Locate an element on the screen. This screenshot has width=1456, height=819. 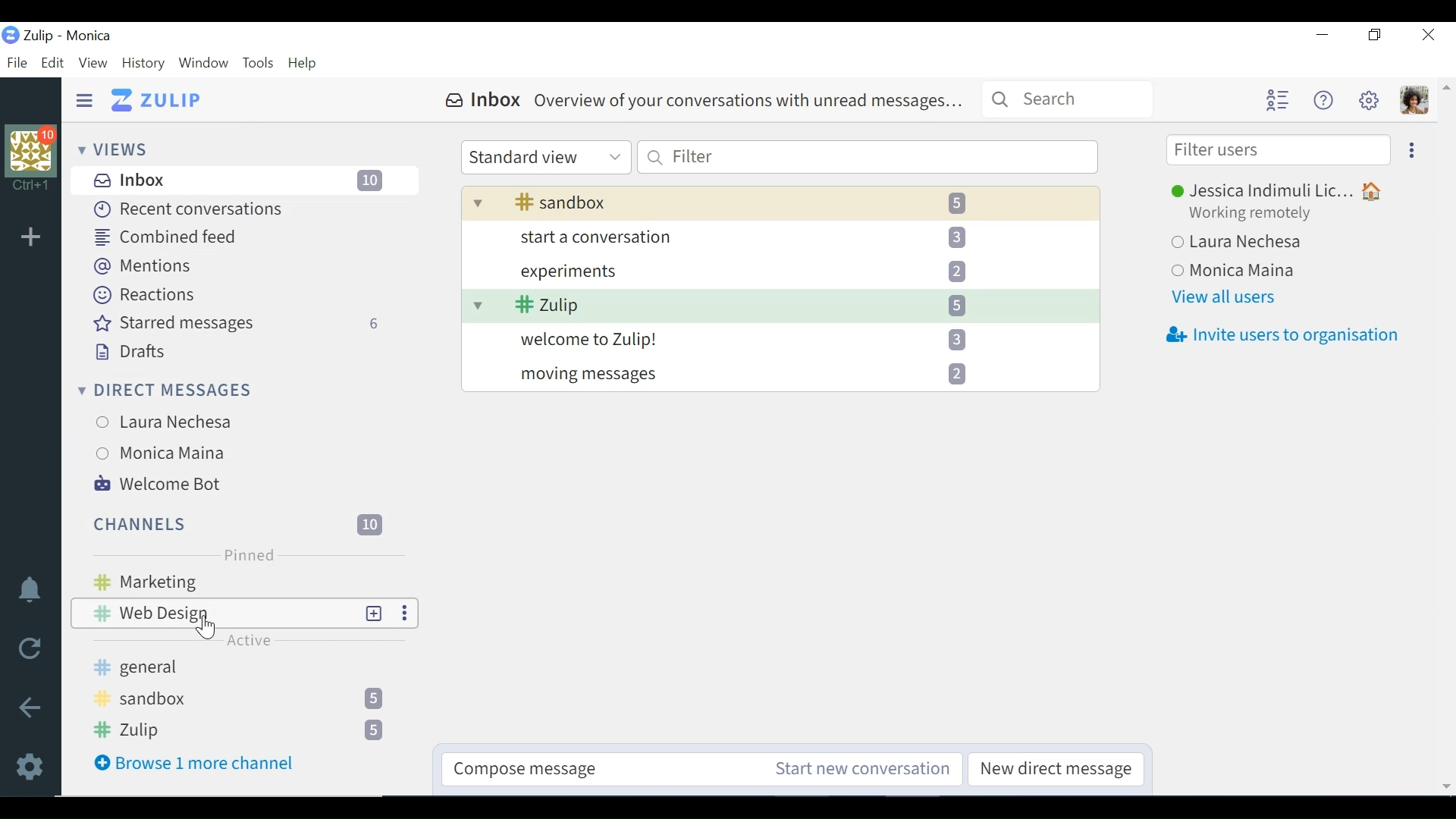
marketing Channel is located at coordinates (252, 583).